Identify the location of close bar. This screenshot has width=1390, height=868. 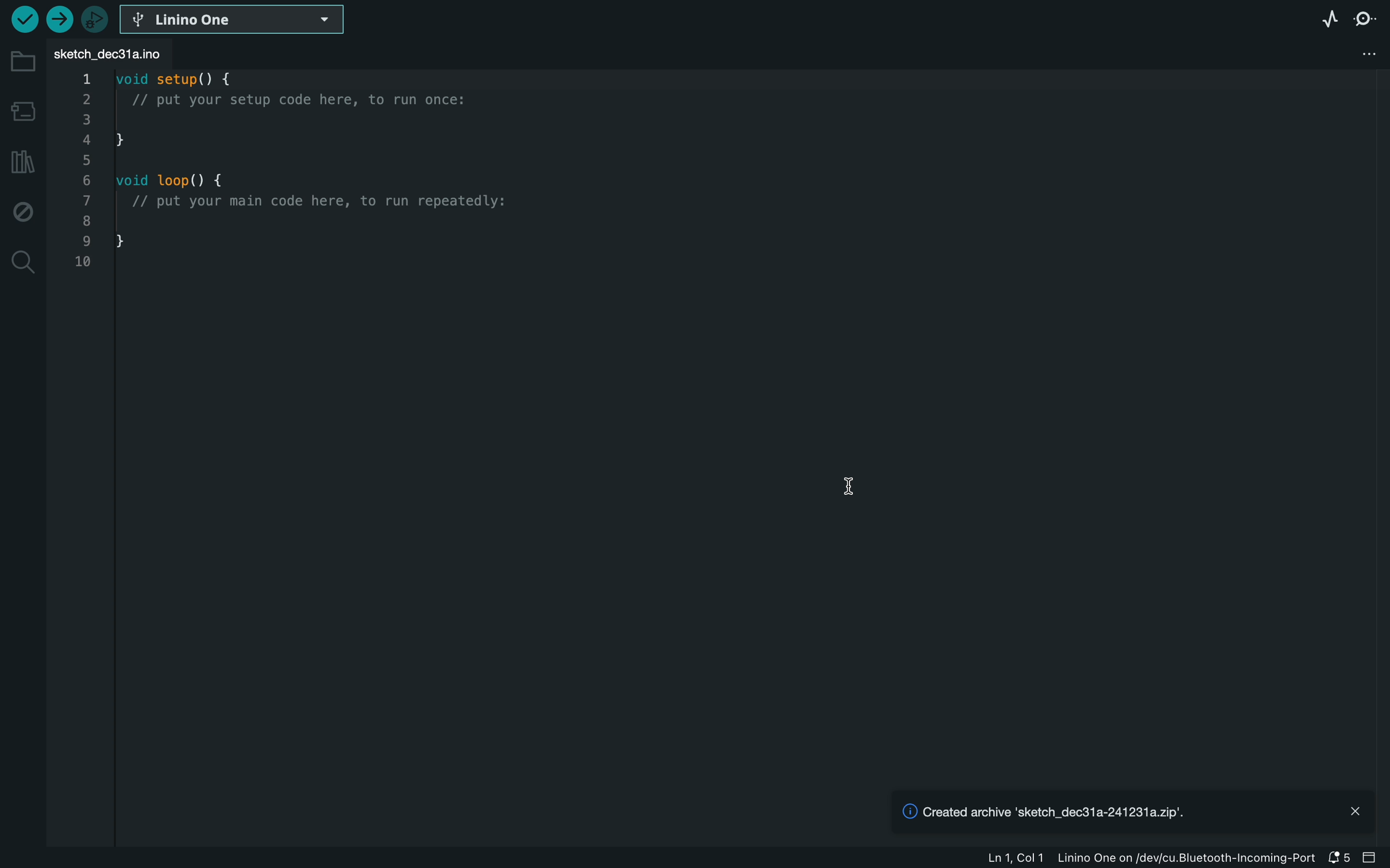
(1371, 858).